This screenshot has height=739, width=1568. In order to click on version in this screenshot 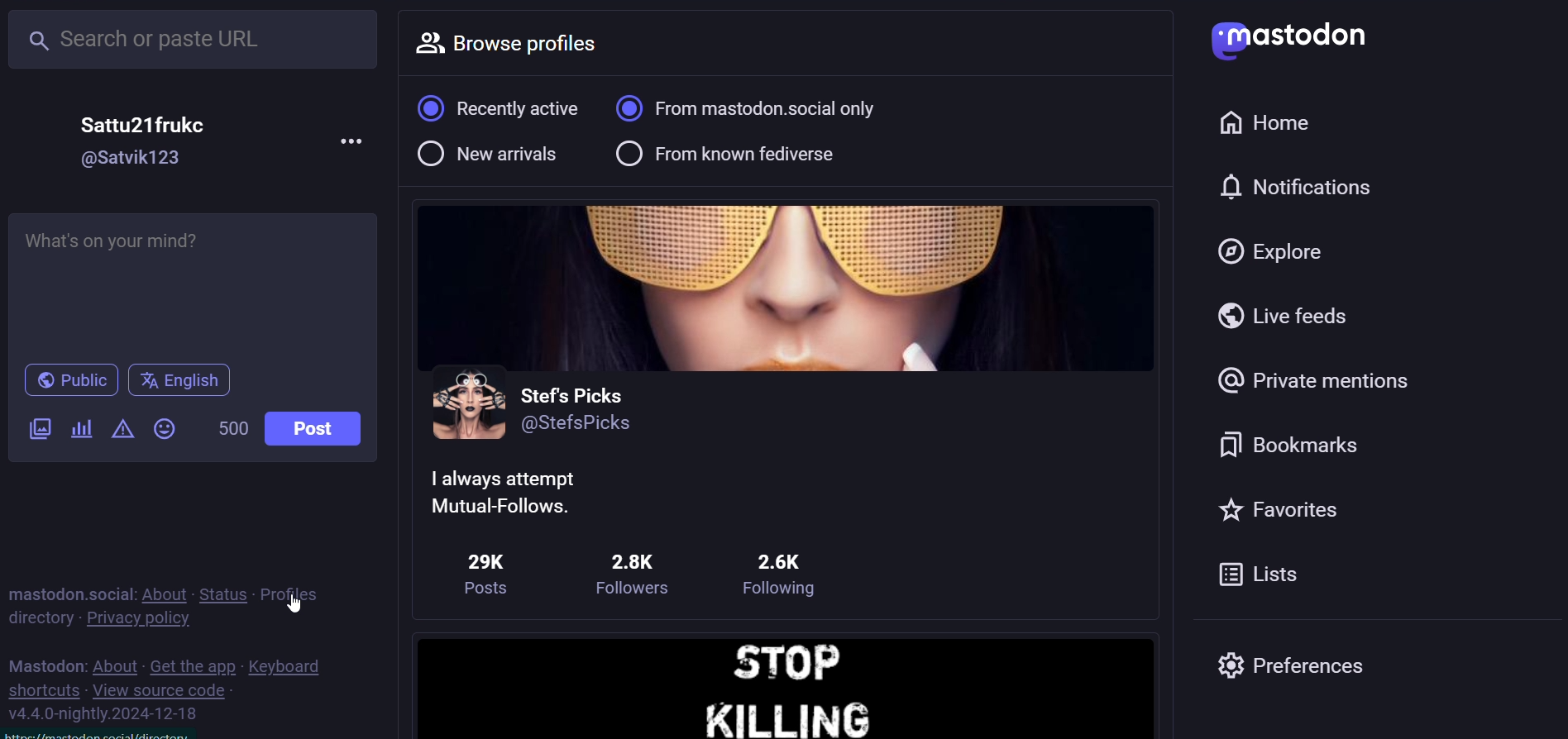, I will do `click(108, 713)`.